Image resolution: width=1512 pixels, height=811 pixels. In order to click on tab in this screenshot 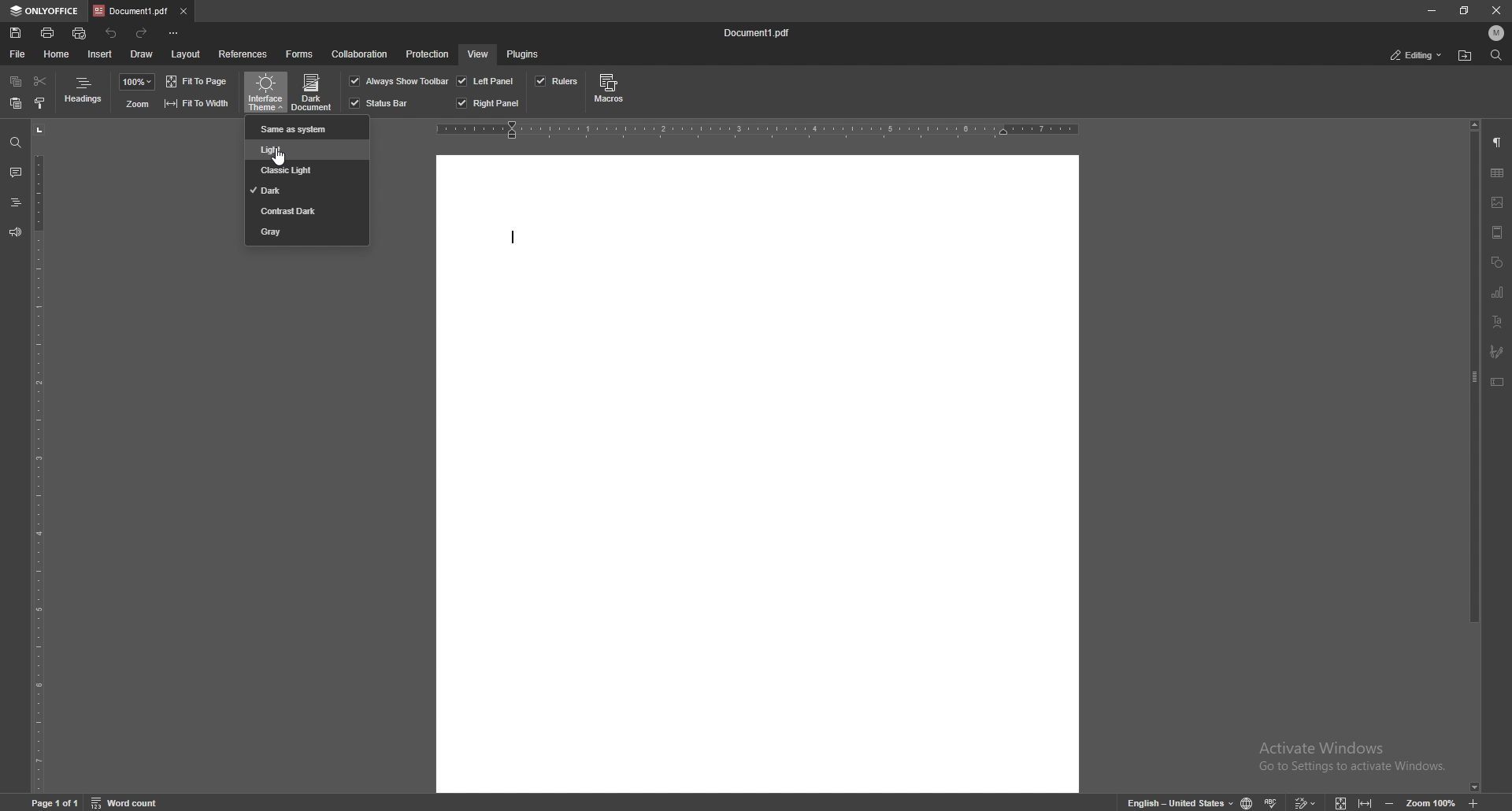, I will do `click(130, 11)`.